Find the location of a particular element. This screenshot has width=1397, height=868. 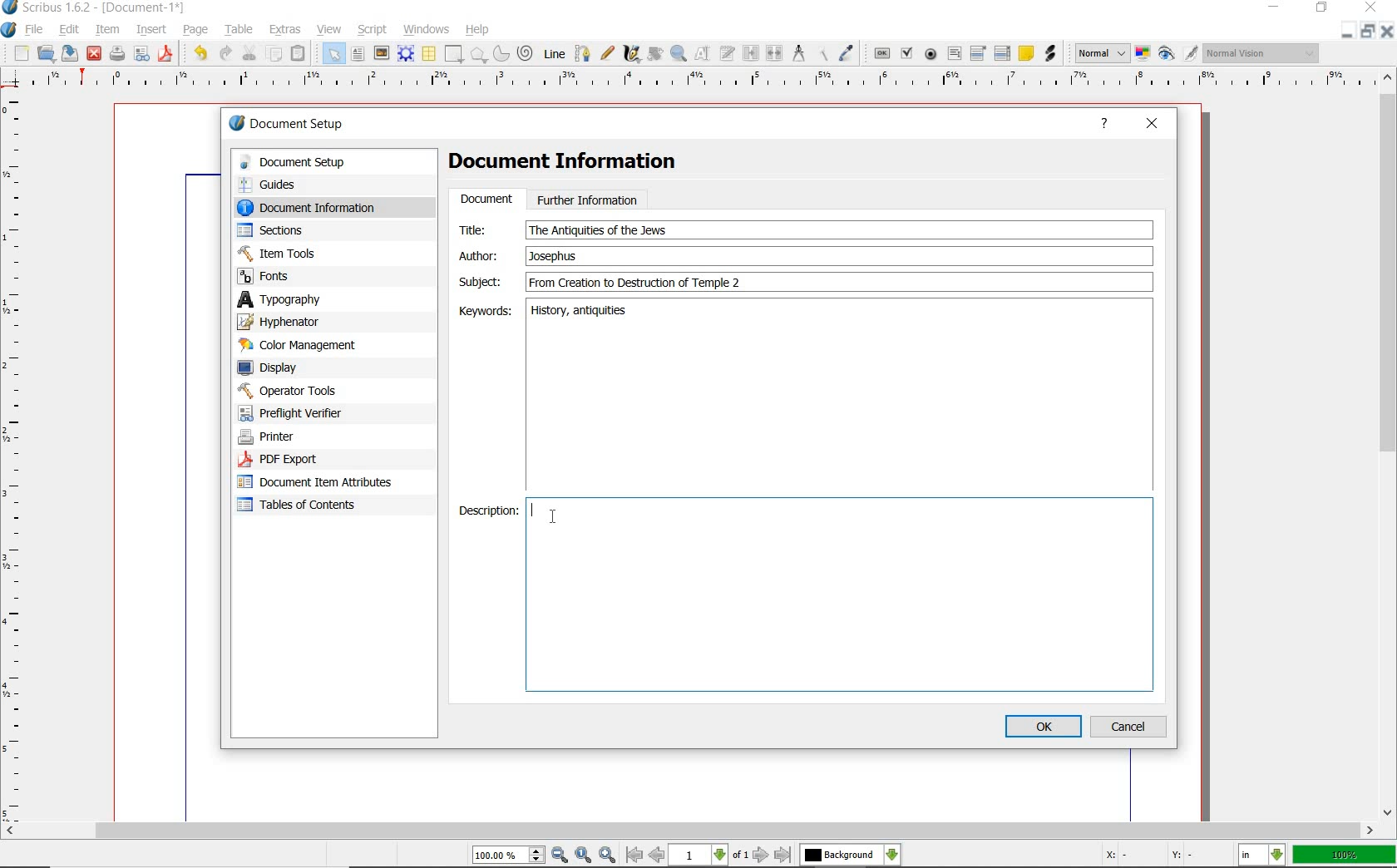

Item Tools is located at coordinates (315, 253).